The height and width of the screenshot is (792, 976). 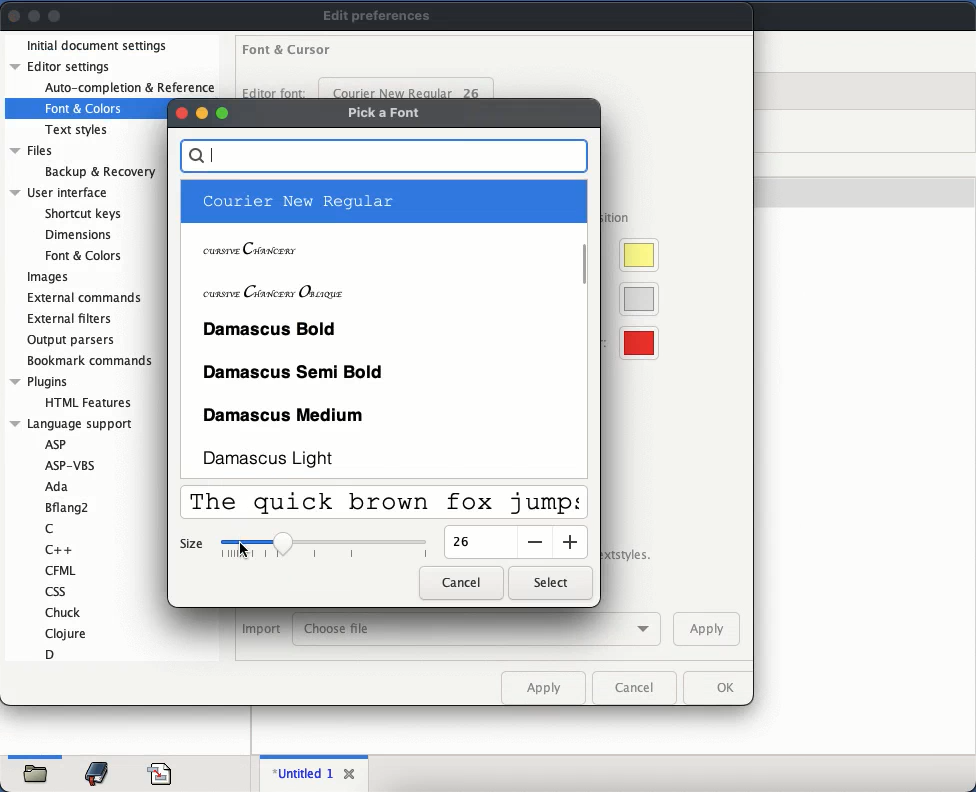 What do you see at coordinates (82, 255) in the screenshot?
I see `Font & Colors` at bounding box center [82, 255].